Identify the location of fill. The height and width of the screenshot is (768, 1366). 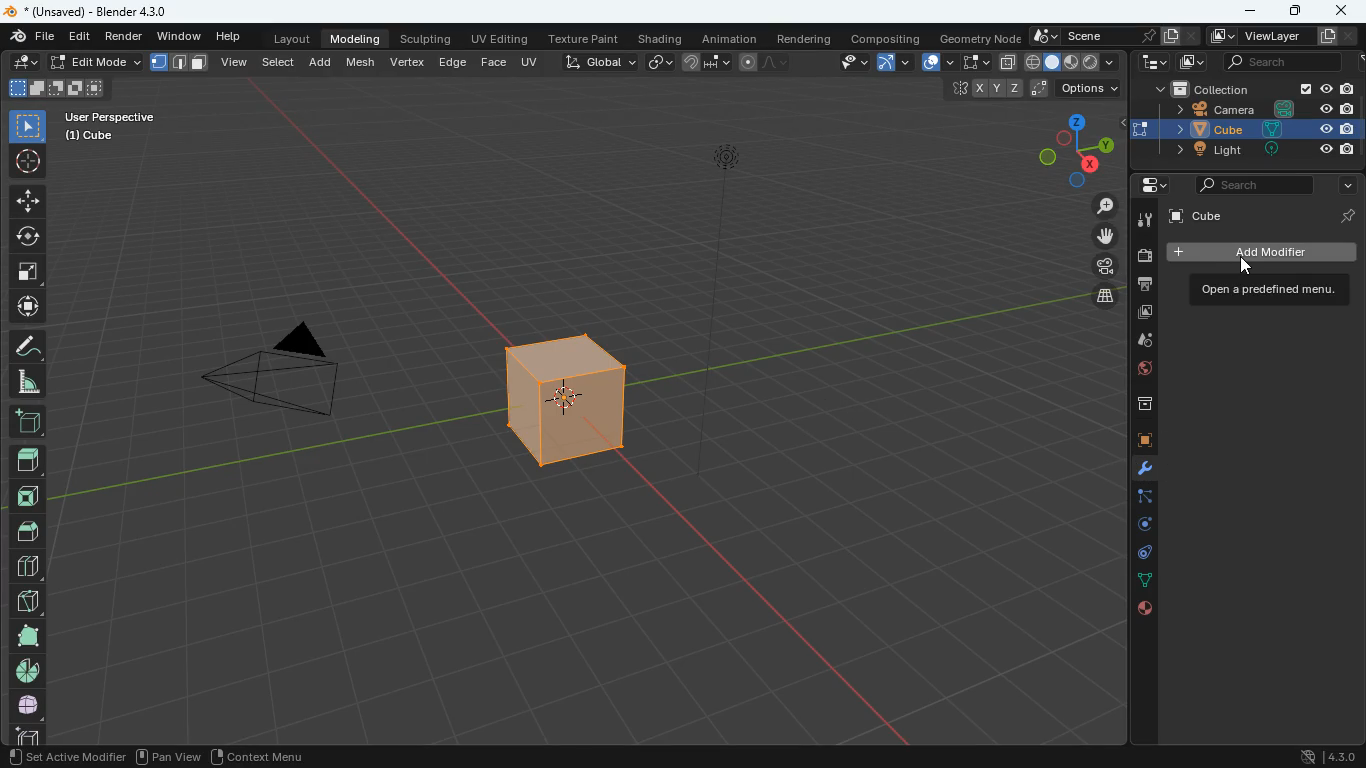
(1072, 61).